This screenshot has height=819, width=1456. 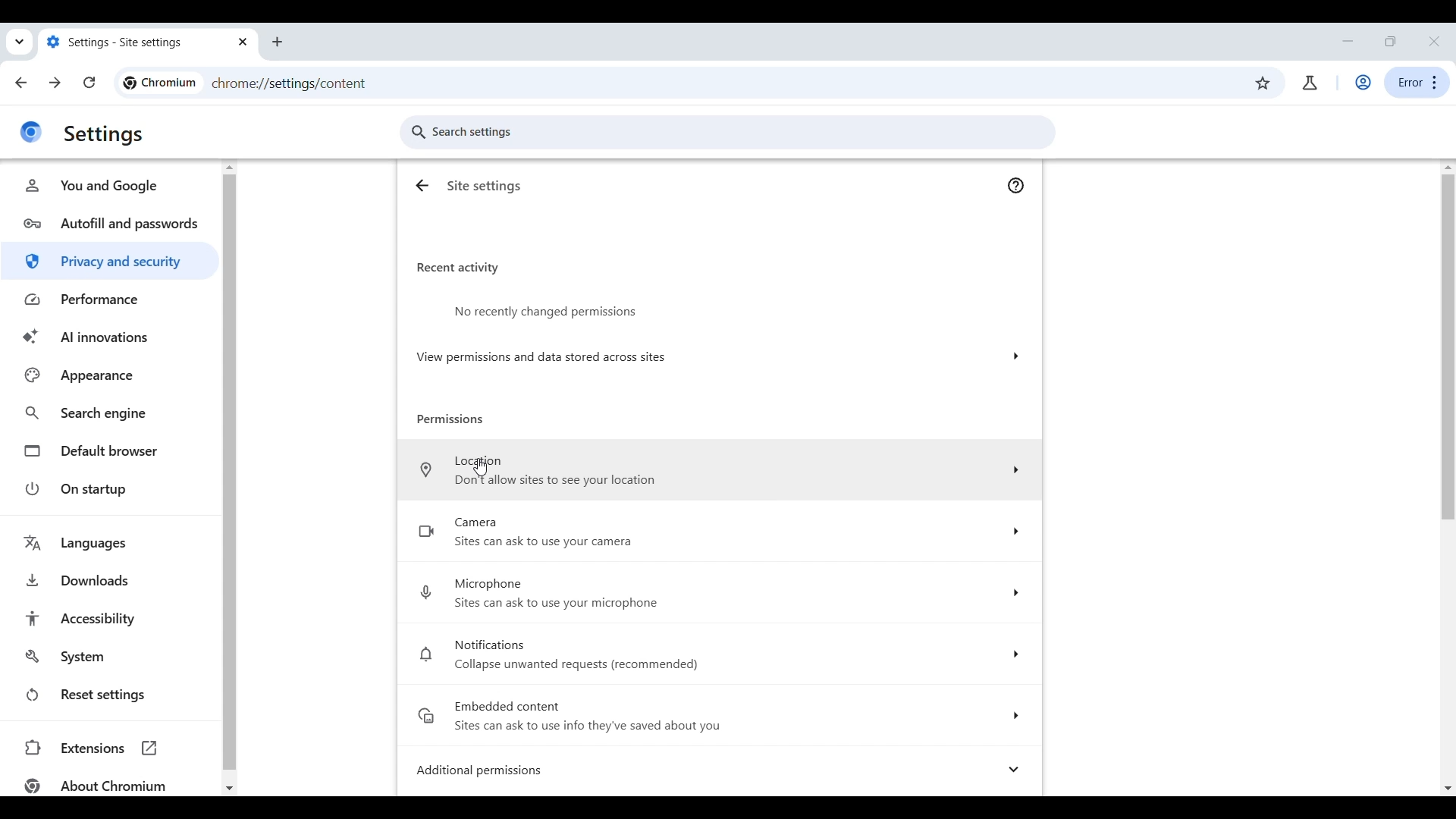 What do you see at coordinates (719, 654) in the screenshot?
I see `Notifications: collapse unwanted requests (recommended)` at bounding box center [719, 654].